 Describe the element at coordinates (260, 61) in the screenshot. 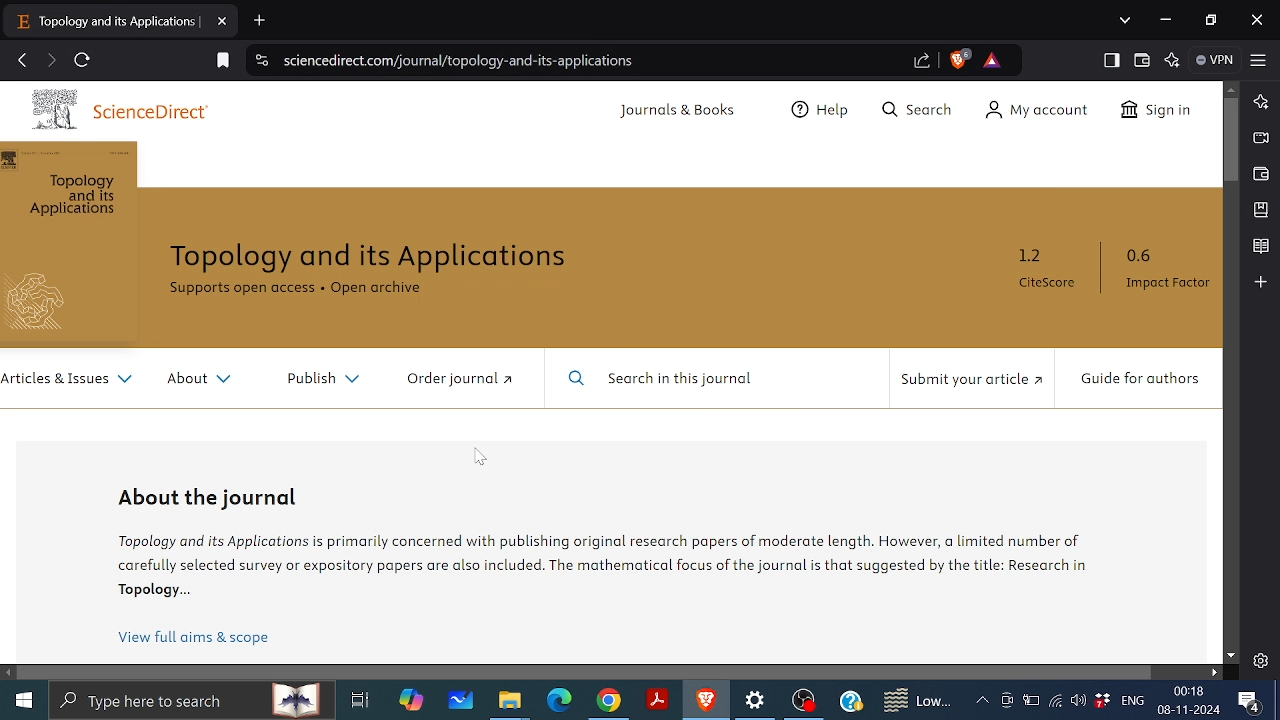

I see `view site information` at that location.